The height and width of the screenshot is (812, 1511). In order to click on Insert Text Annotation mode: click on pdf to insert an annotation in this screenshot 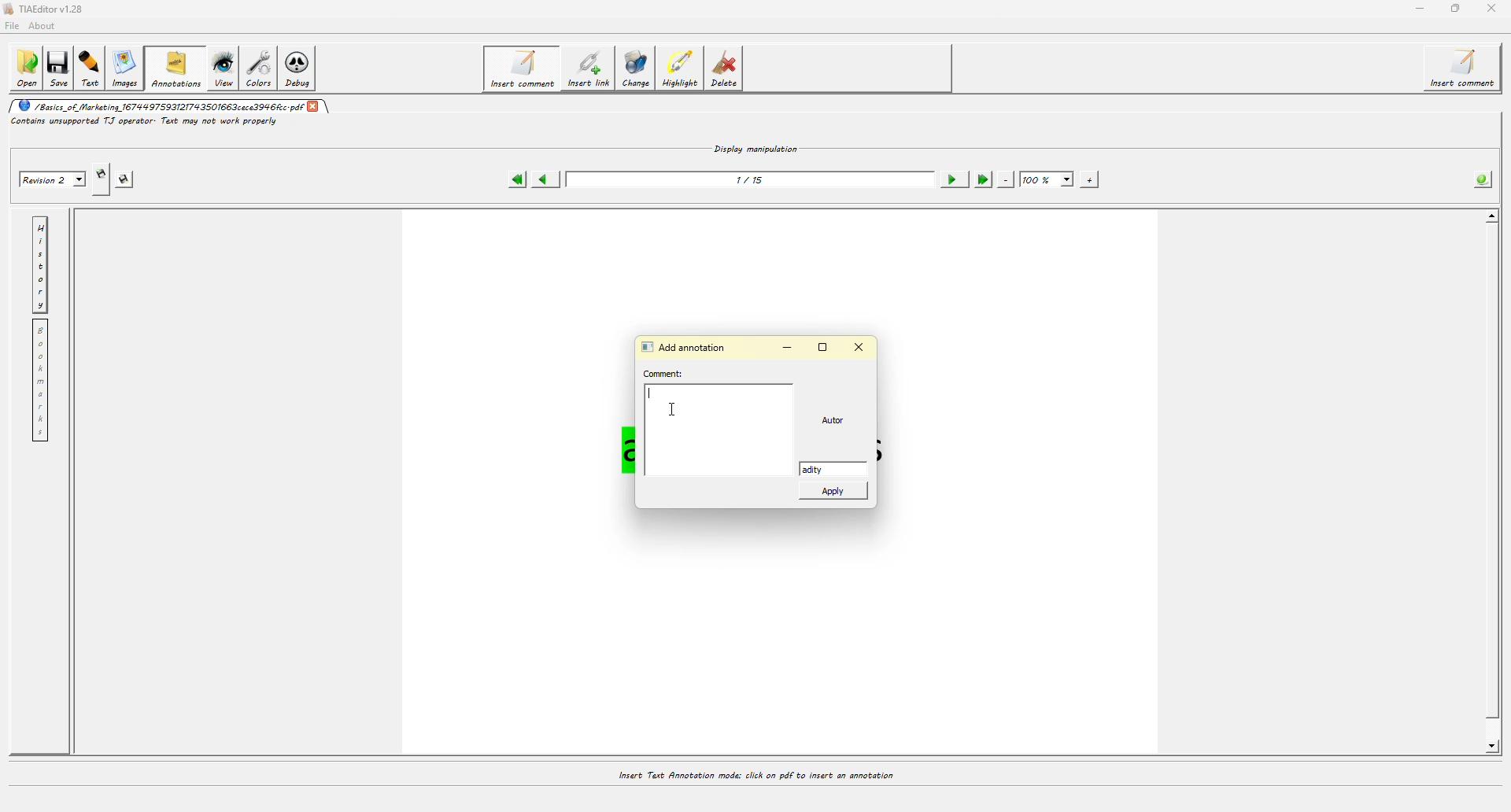, I will do `click(755, 775)`.